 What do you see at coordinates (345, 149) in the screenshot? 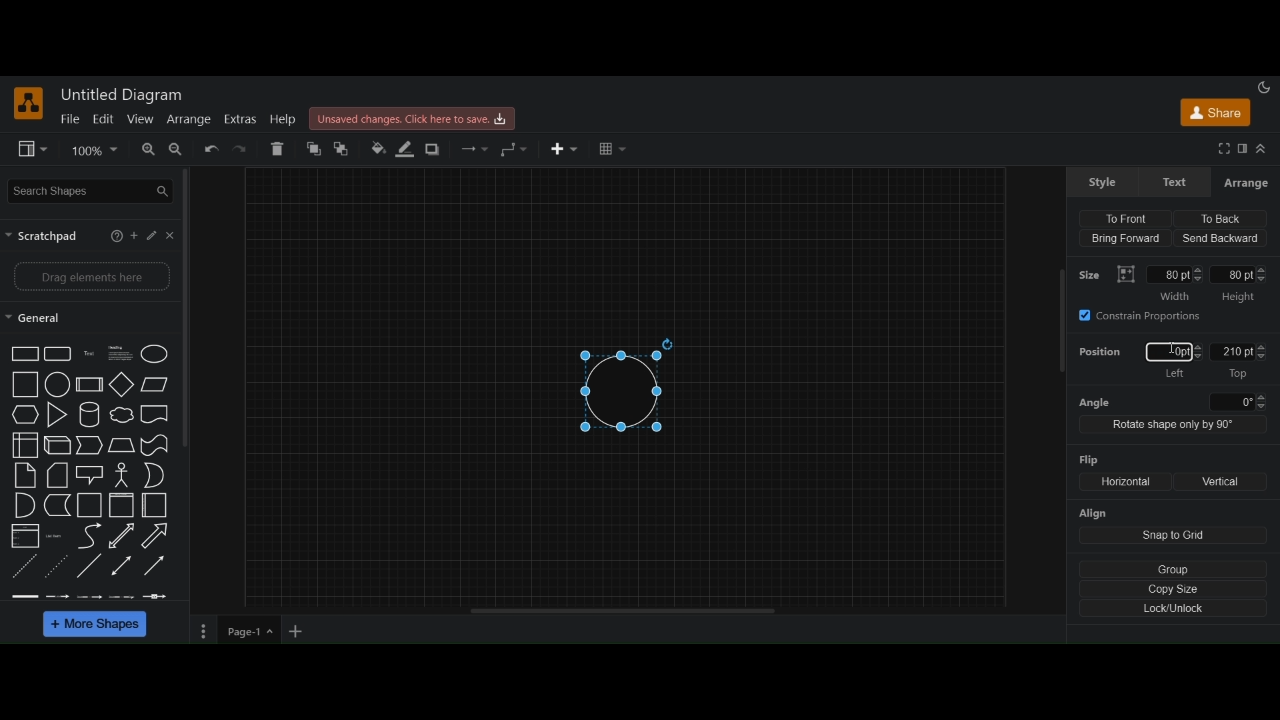
I see `to back` at bounding box center [345, 149].